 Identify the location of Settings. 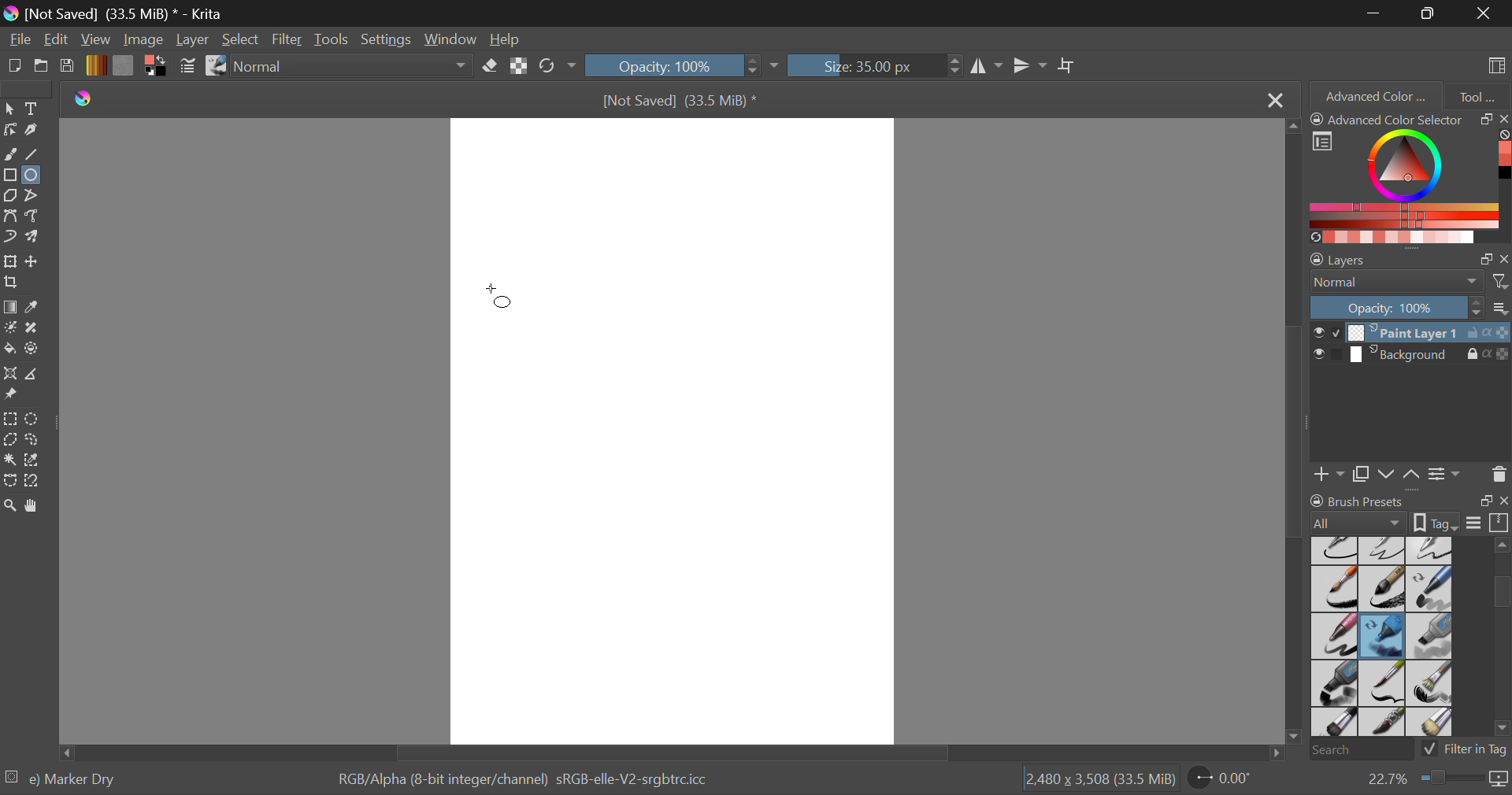
(390, 39).